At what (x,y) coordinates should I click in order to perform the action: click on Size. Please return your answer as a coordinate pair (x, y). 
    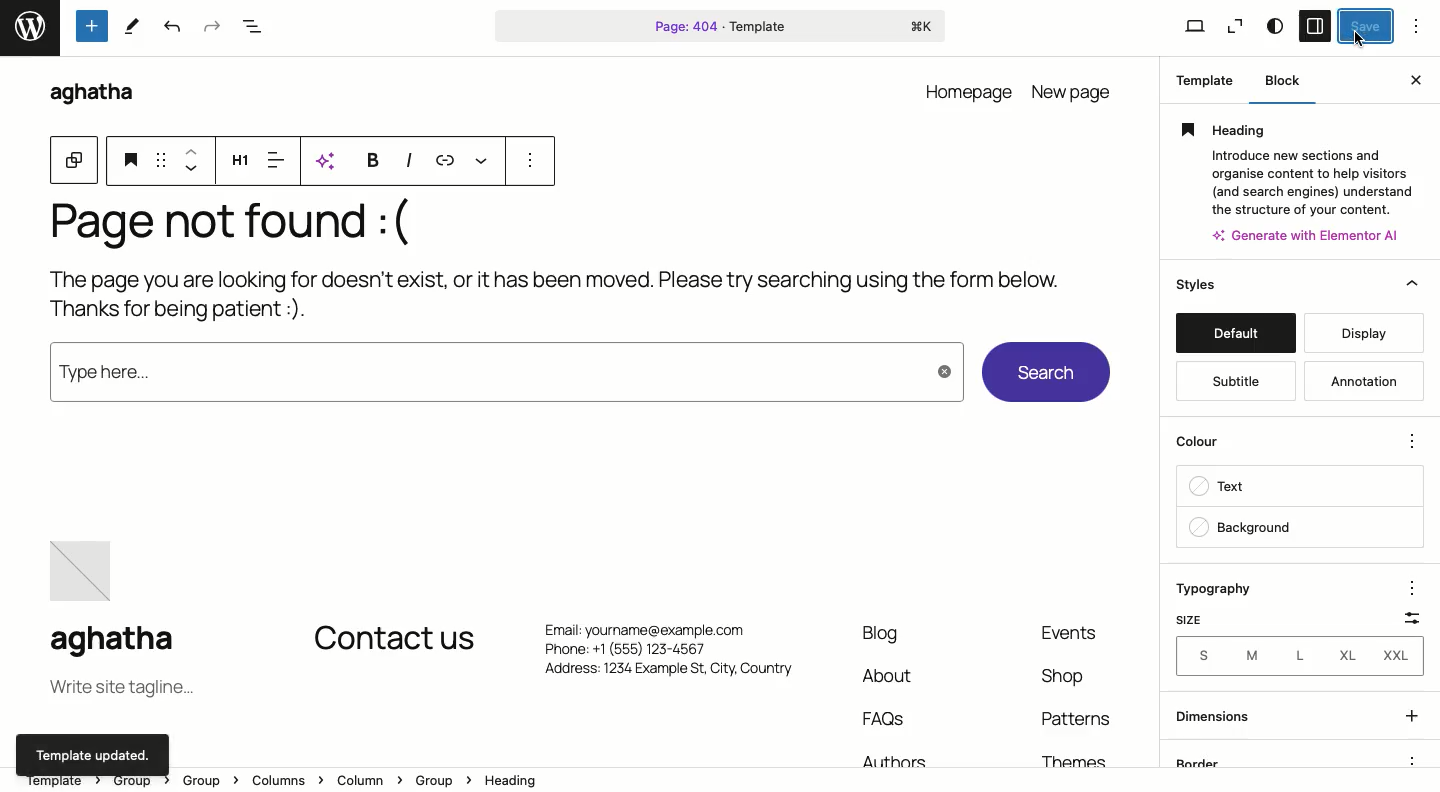
    Looking at the image, I should click on (1197, 618).